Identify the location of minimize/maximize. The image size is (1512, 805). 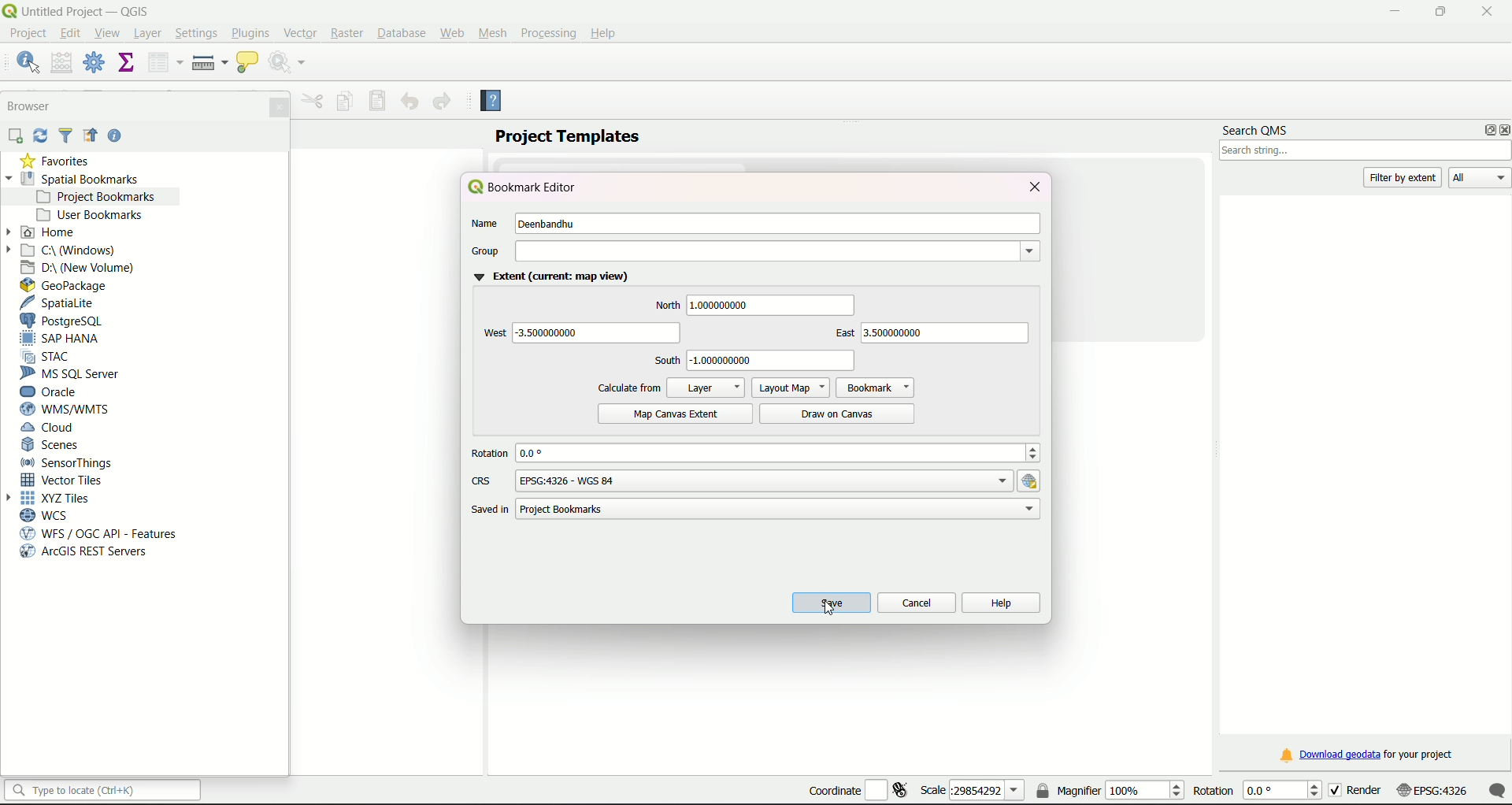
(1440, 12).